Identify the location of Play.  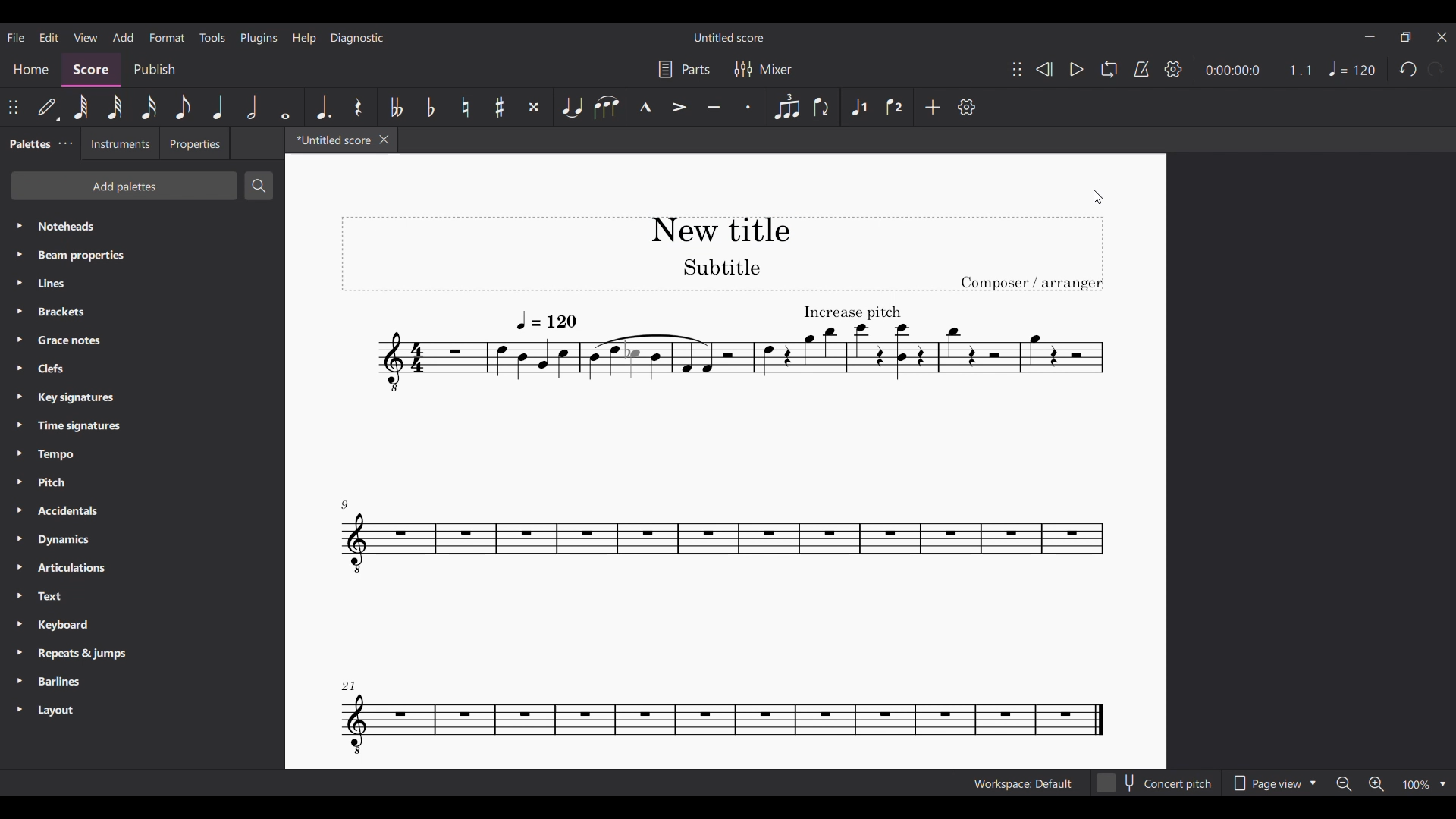
(1078, 69).